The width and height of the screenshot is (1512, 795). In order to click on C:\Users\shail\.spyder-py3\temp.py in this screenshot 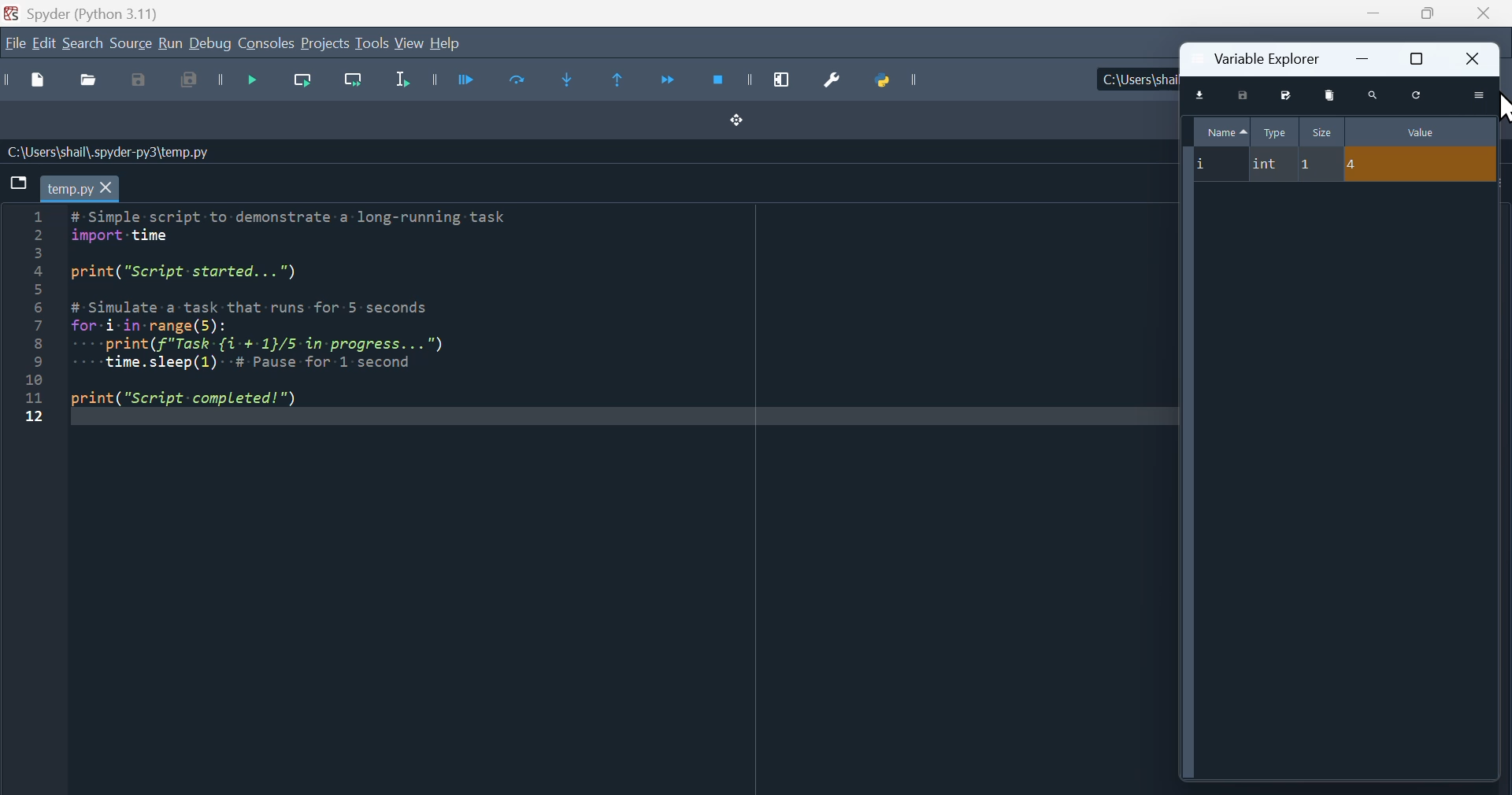, I will do `click(110, 152)`.